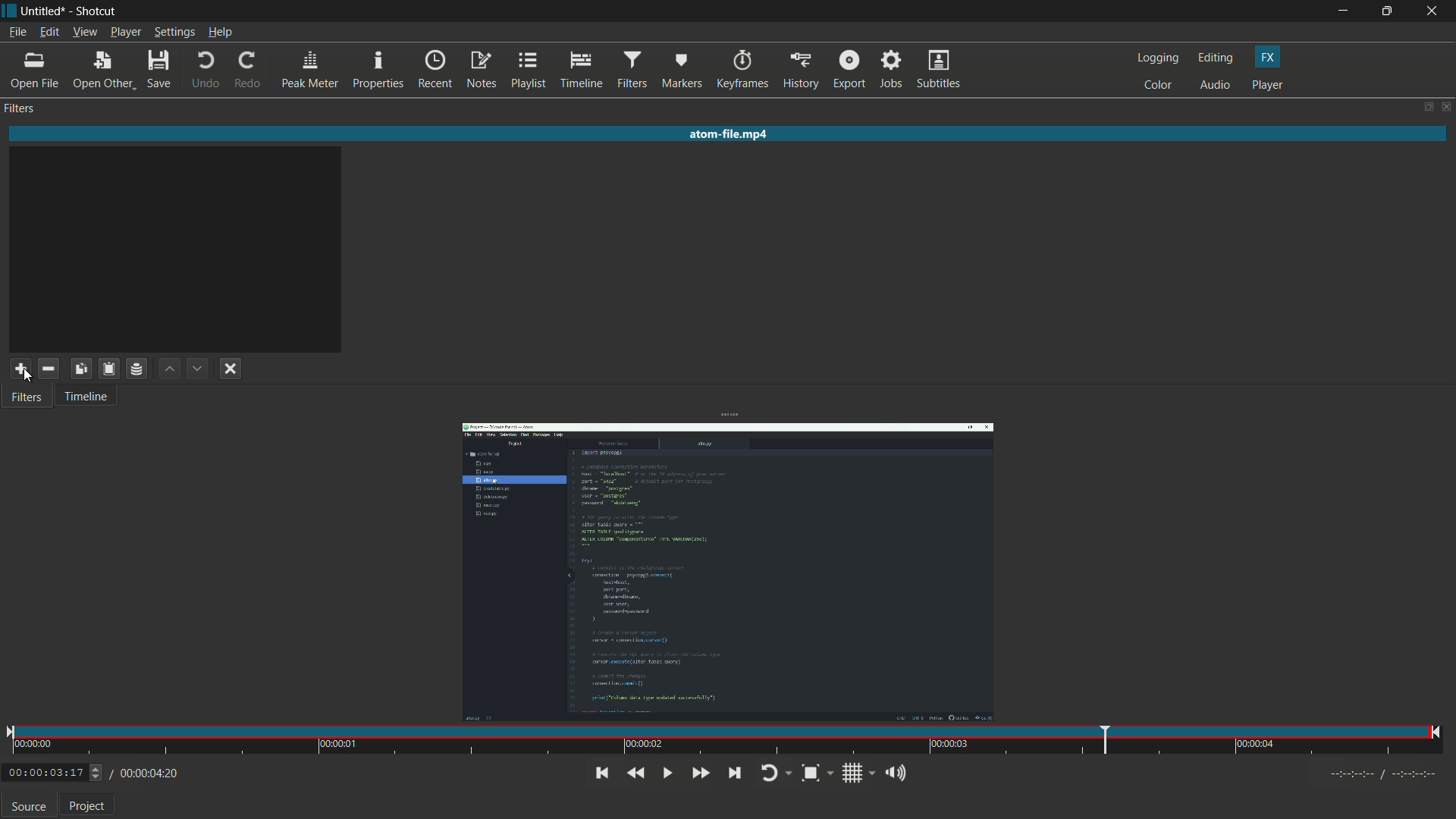 The height and width of the screenshot is (819, 1456). Describe the element at coordinates (36, 71) in the screenshot. I see `open file` at that location.